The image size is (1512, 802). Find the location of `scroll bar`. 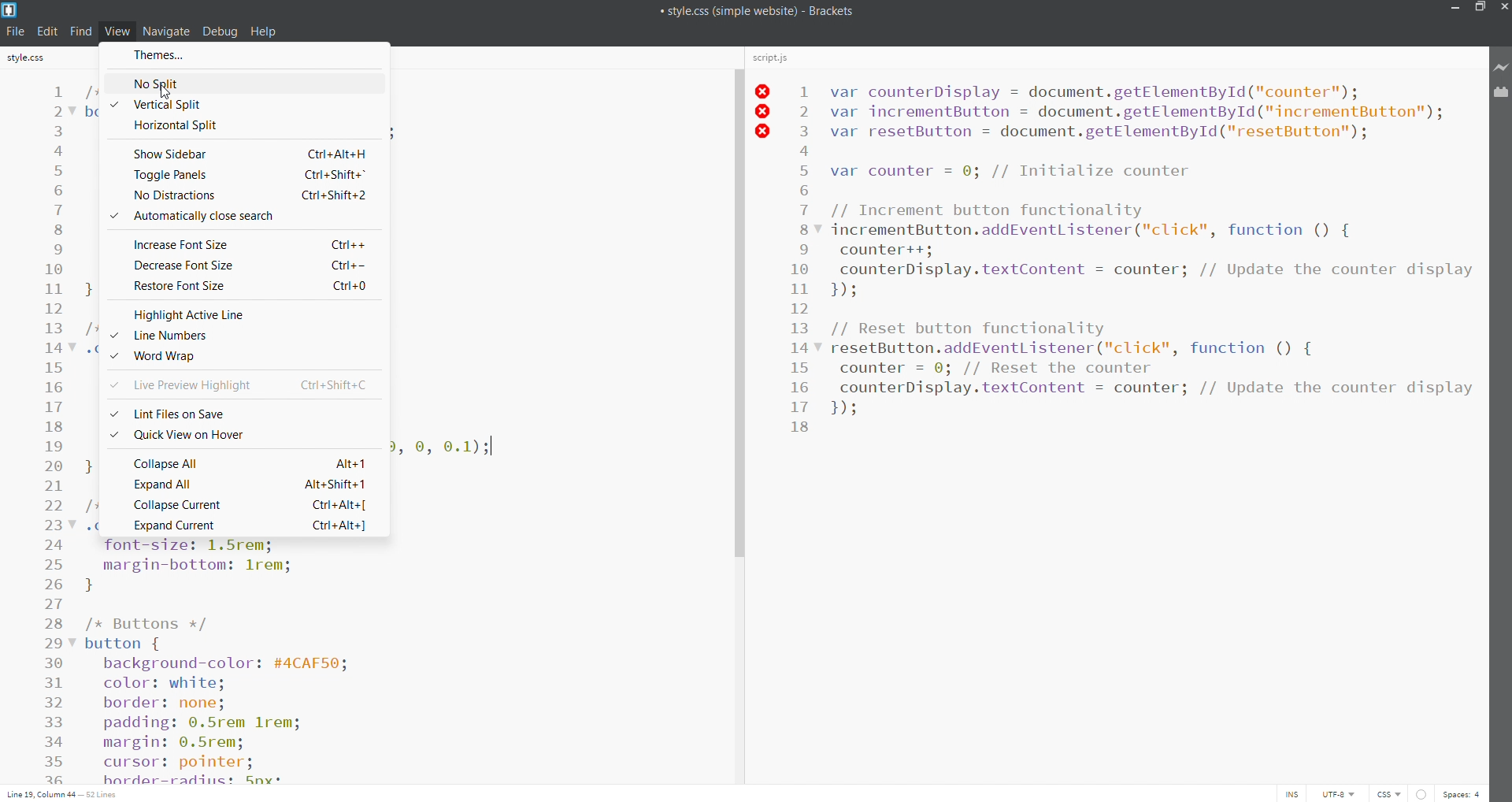

scroll bar is located at coordinates (736, 414).